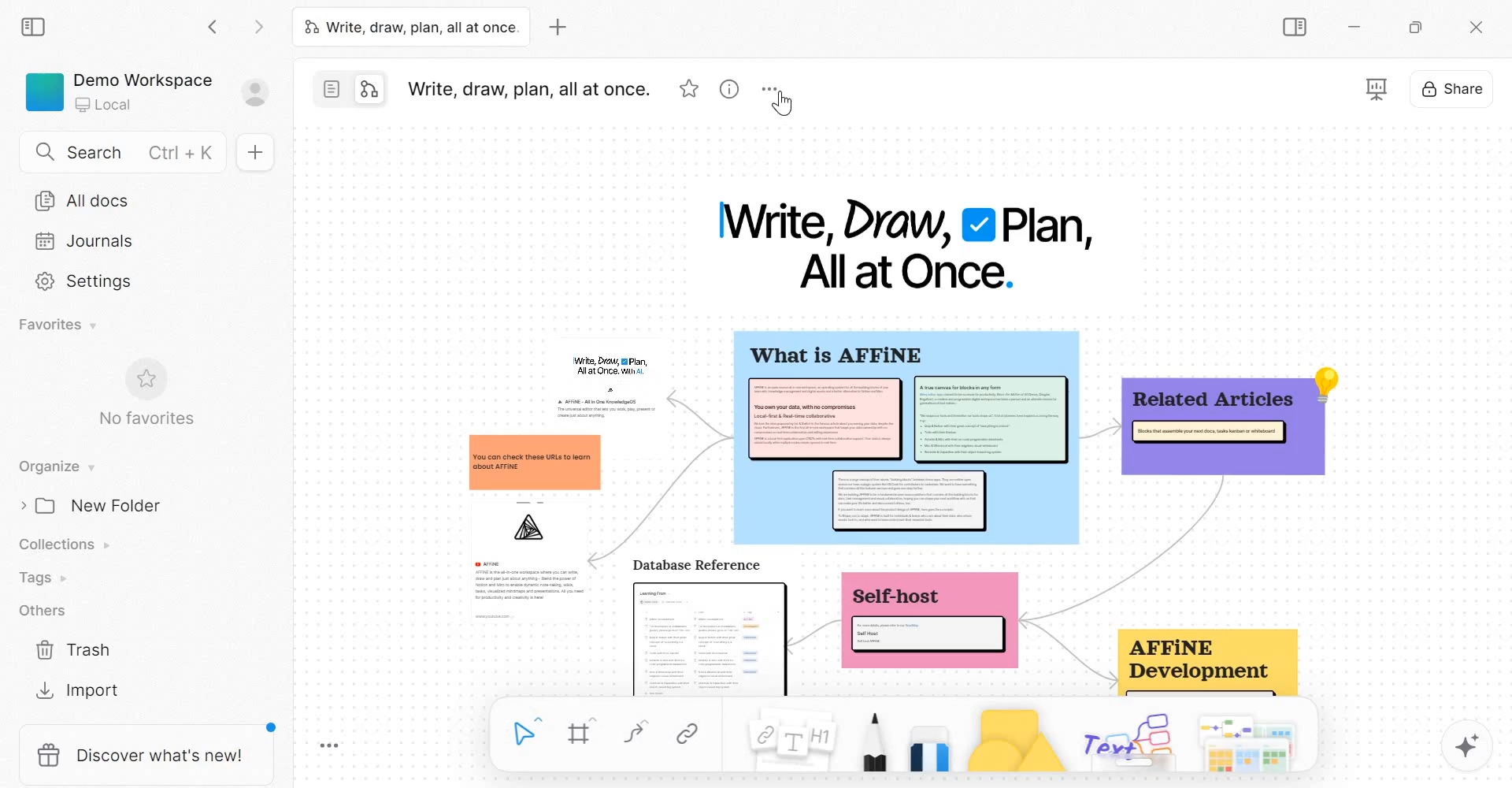 The width and height of the screenshot is (1512, 788). I want to click on c, so click(1481, 28).